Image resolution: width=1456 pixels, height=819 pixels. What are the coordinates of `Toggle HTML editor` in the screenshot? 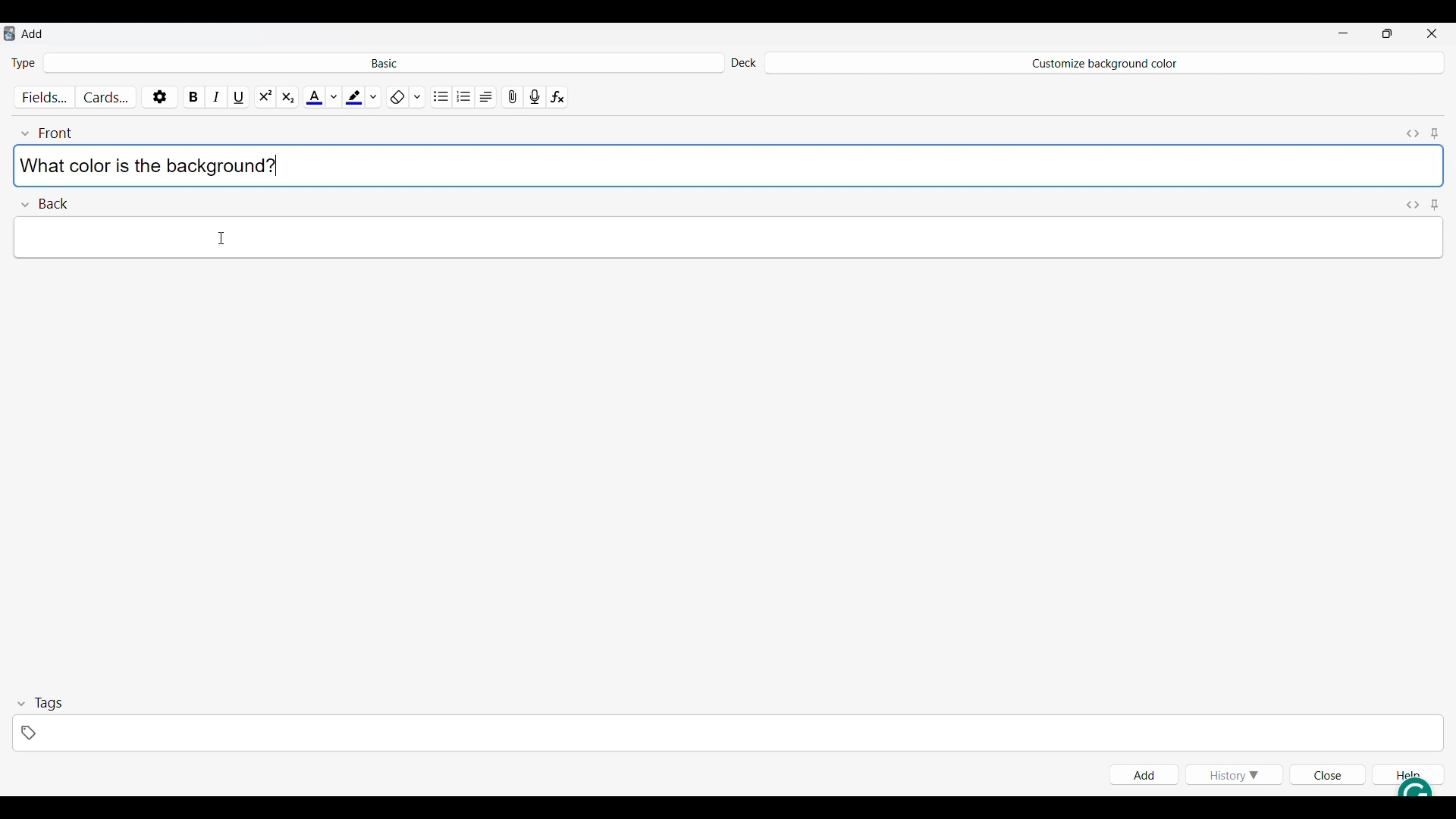 It's located at (1414, 203).